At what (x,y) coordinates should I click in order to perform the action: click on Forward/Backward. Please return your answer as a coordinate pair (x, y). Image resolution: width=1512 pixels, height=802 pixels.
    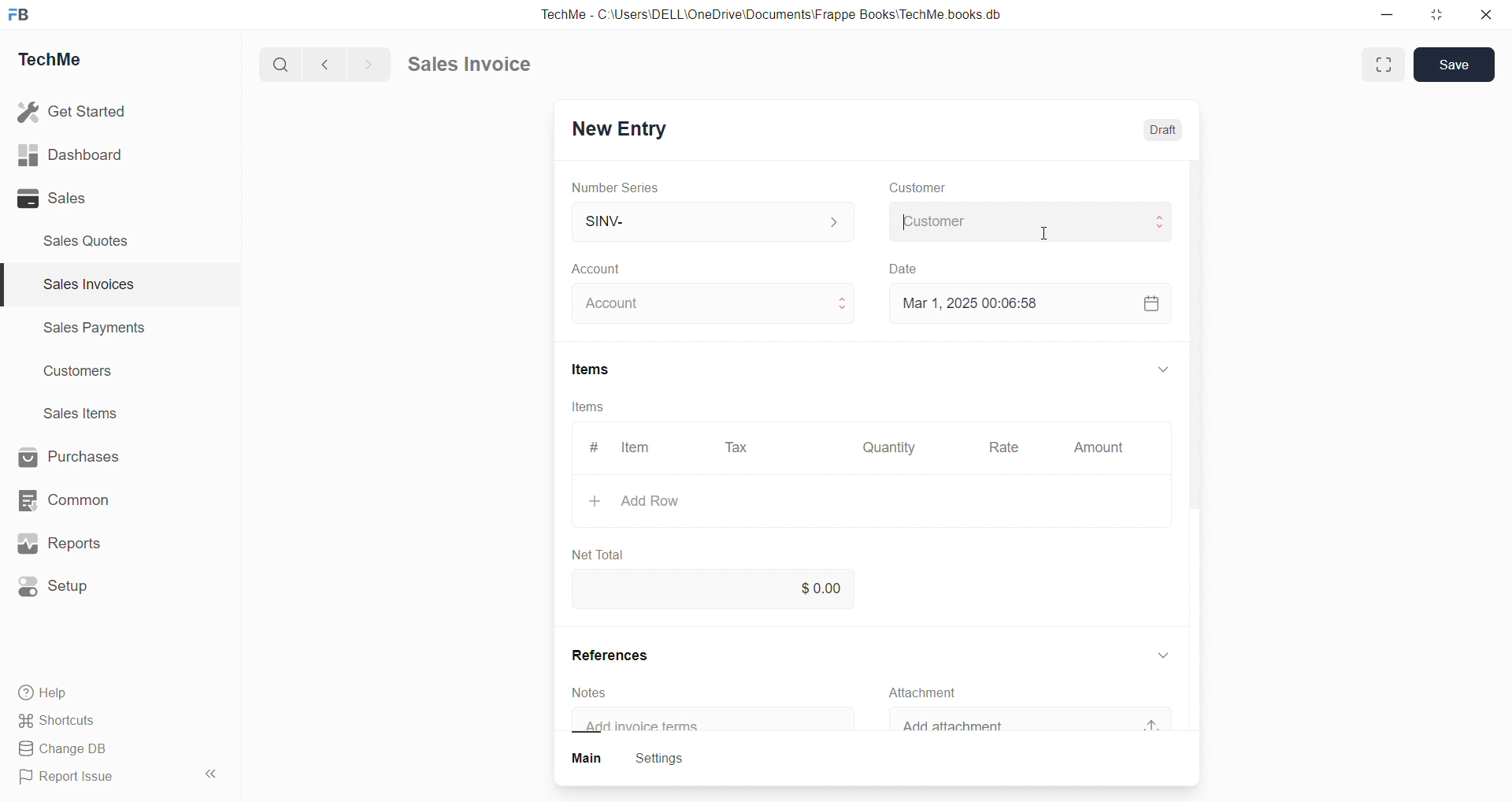
    Looking at the image, I should click on (348, 63).